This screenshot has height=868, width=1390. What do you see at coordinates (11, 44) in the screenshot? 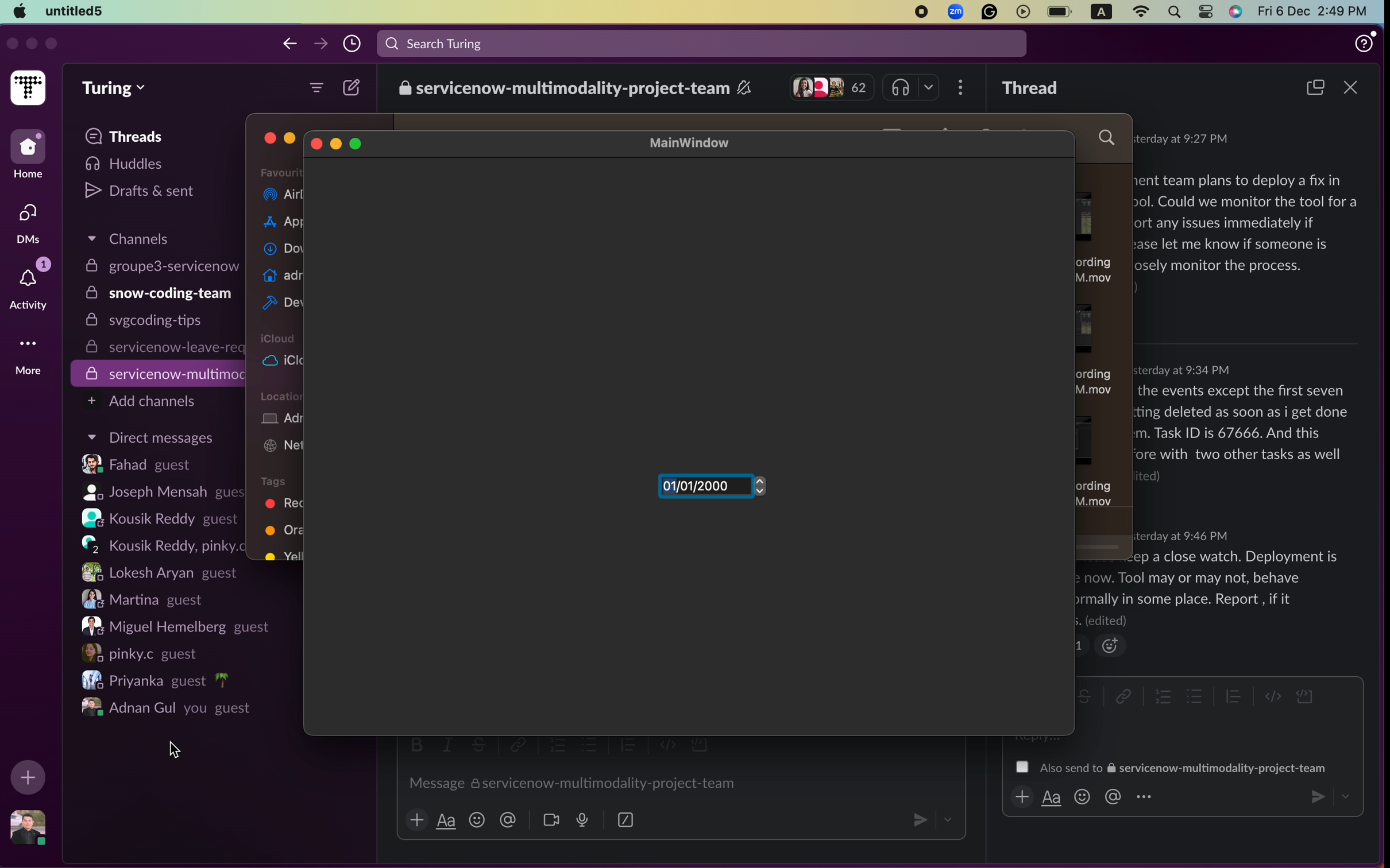
I see `close` at bounding box center [11, 44].